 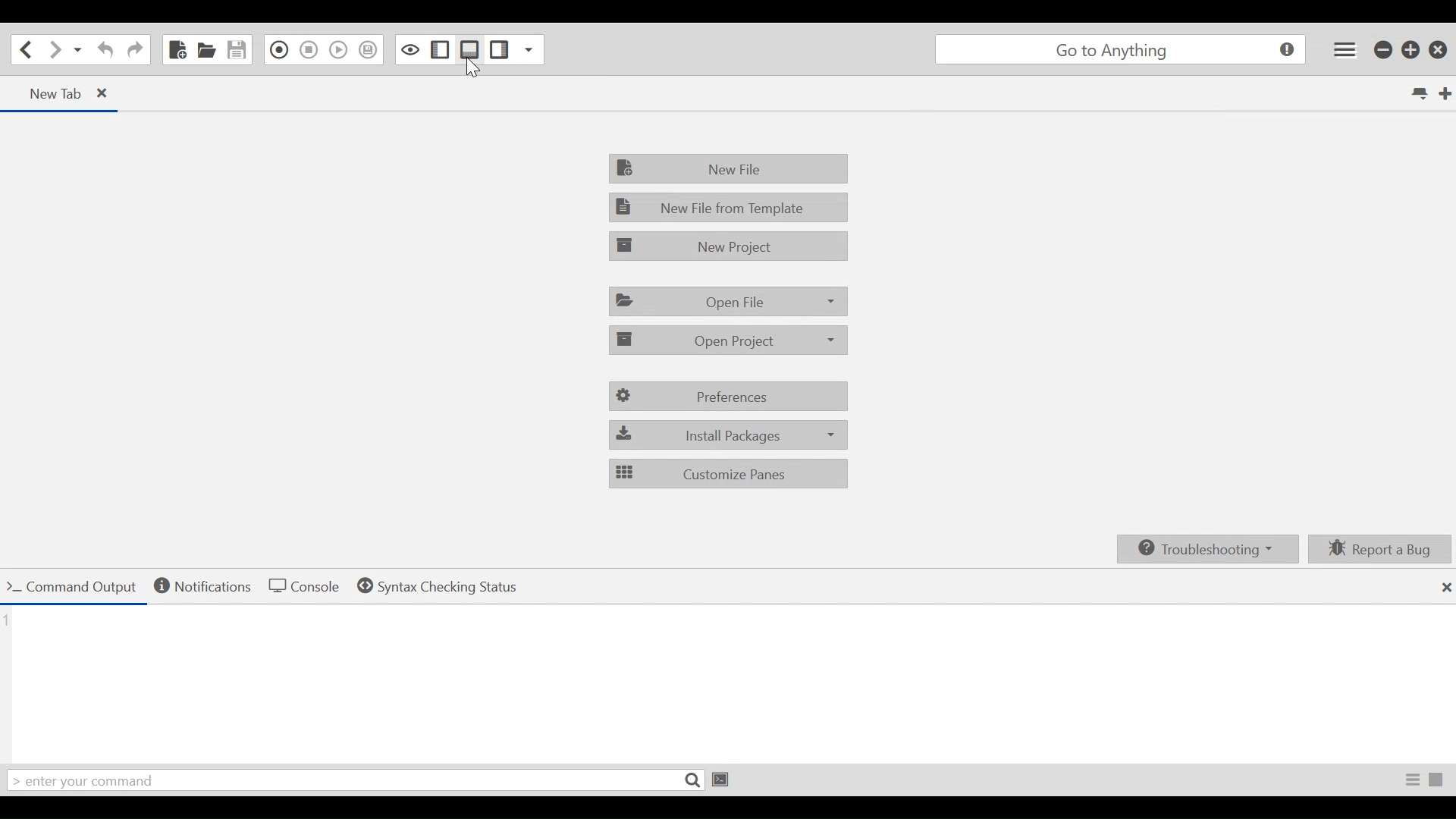 I want to click on Console, so click(x=306, y=588).